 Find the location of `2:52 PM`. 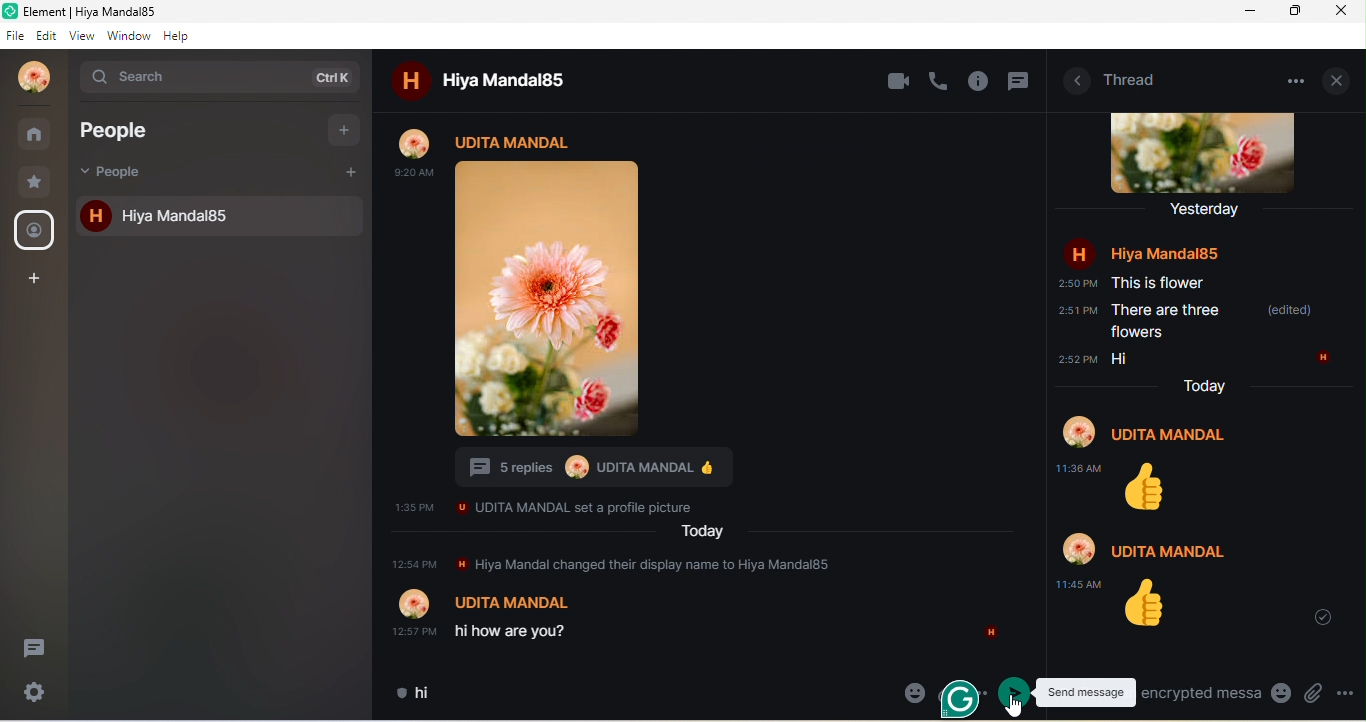

2:52 PM is located at coordinates (1077, 359).